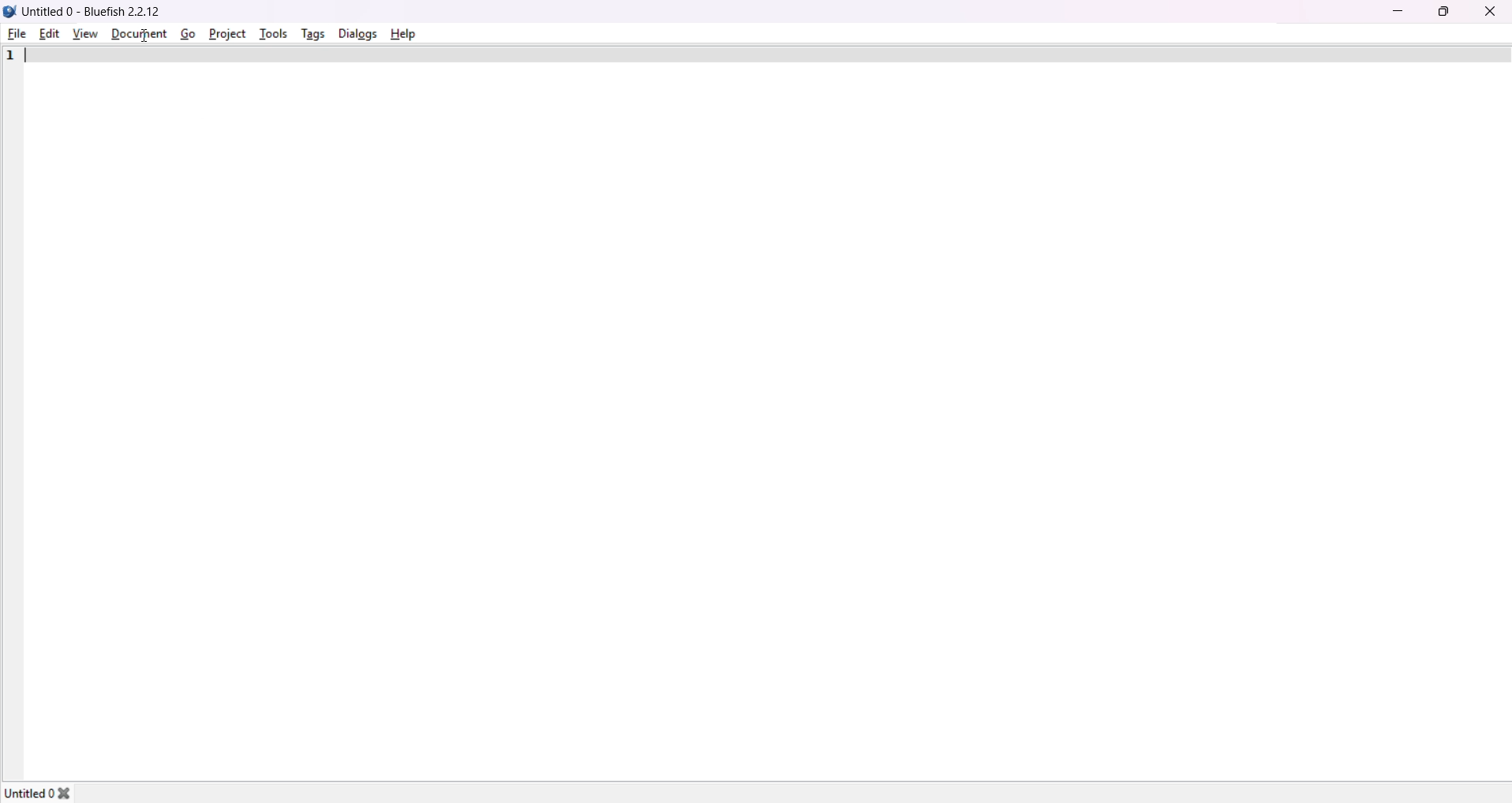 The image size is (1512, 803). What do you see at coordinates (273, 32) in the screenshot?
I see `tools` at bounding box center [273, 32].